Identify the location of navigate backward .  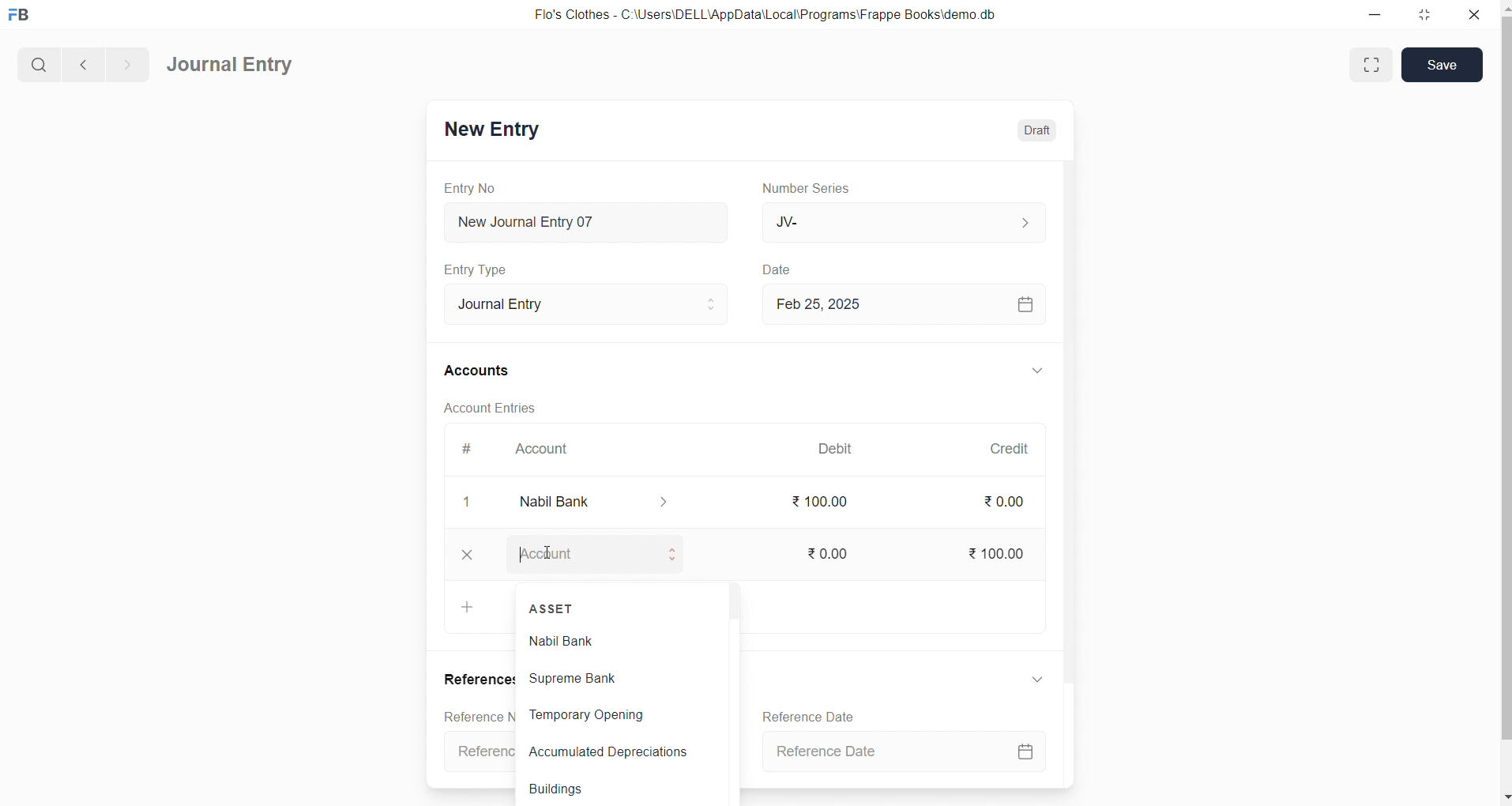
(81, 62).